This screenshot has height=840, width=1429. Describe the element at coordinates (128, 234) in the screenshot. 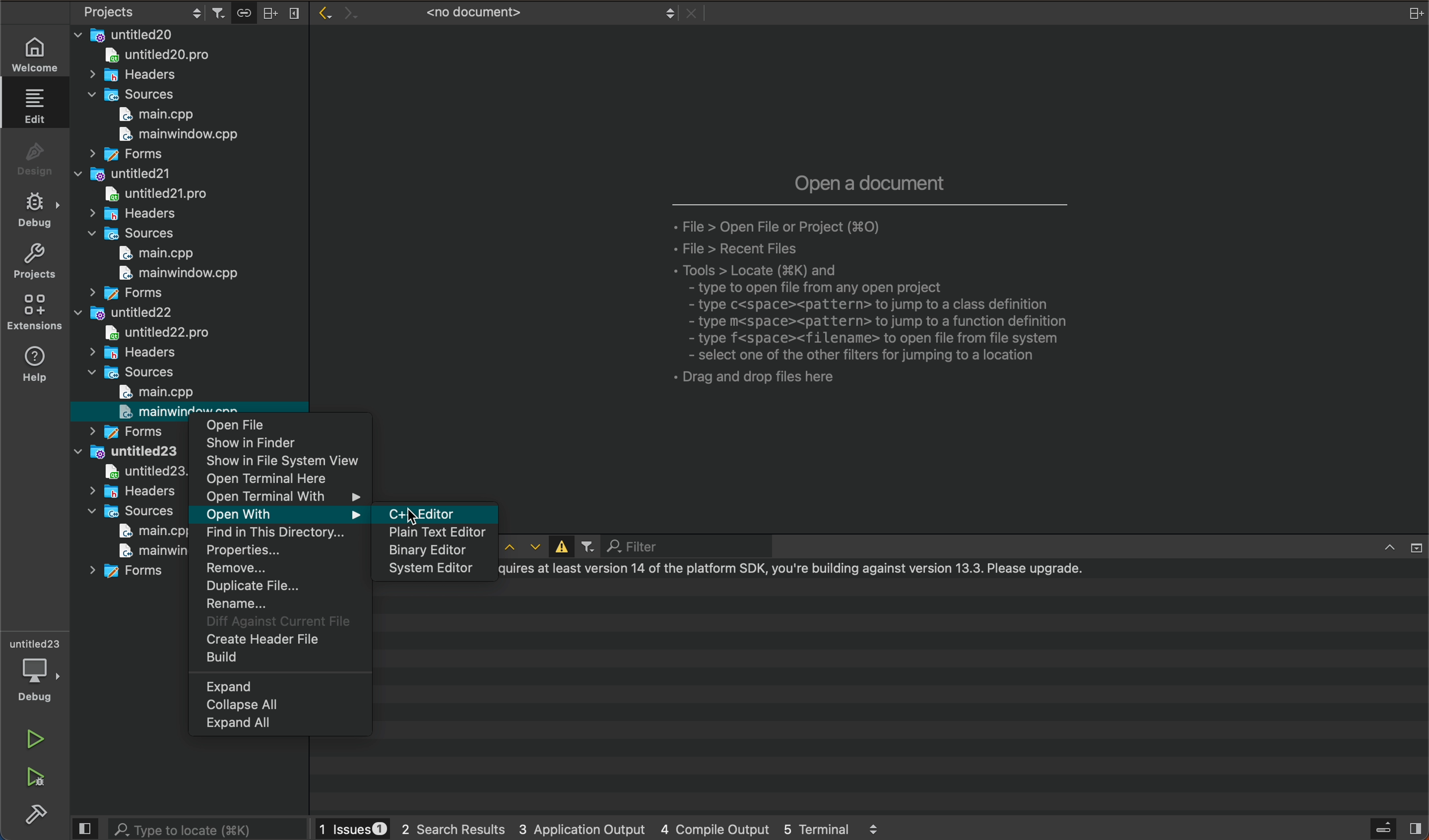

I see `sources` at that location.